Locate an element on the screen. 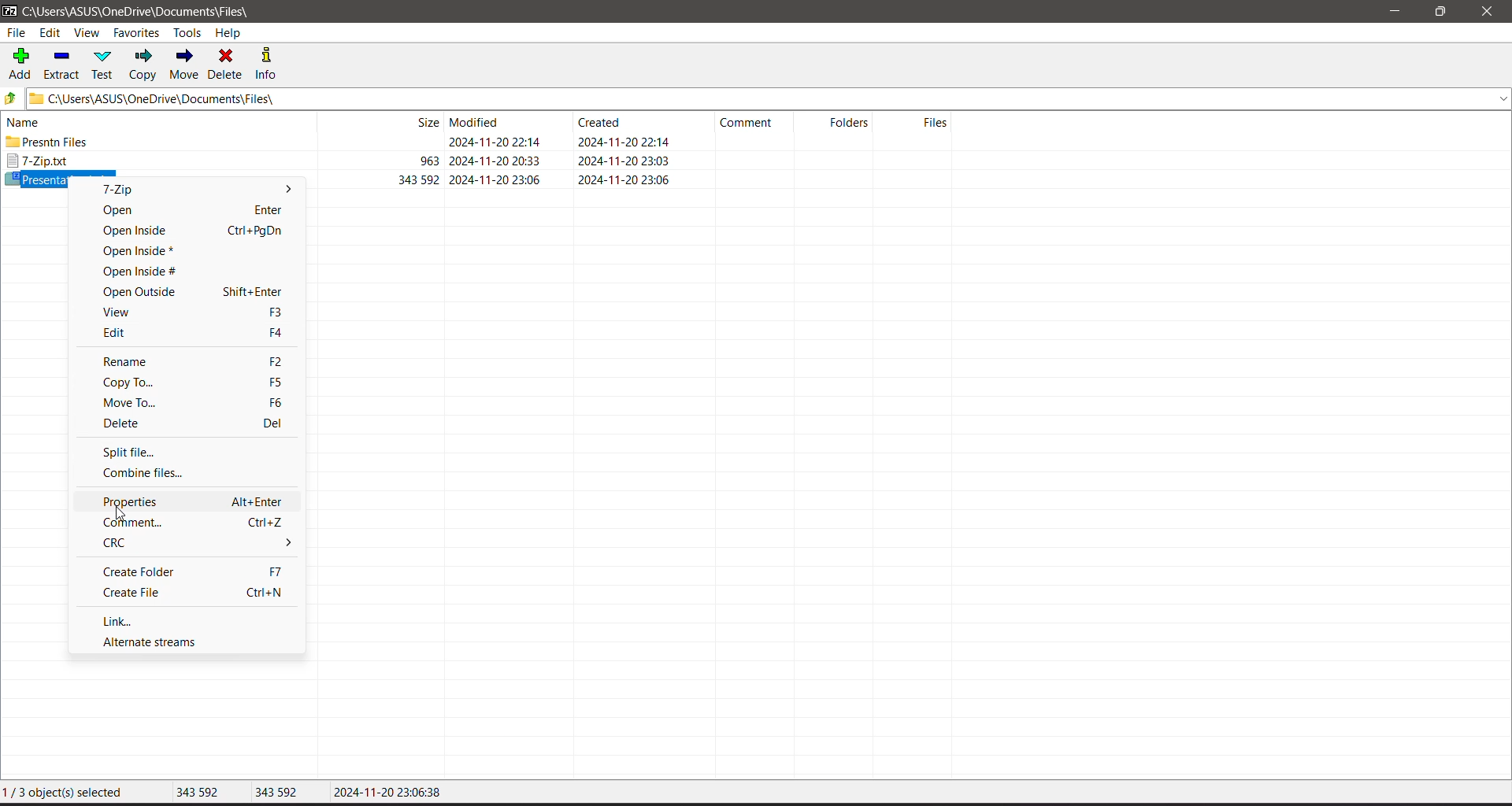 The width and height of the screenshot is (1512, 806). Present files is located at coordinates (343, 143).